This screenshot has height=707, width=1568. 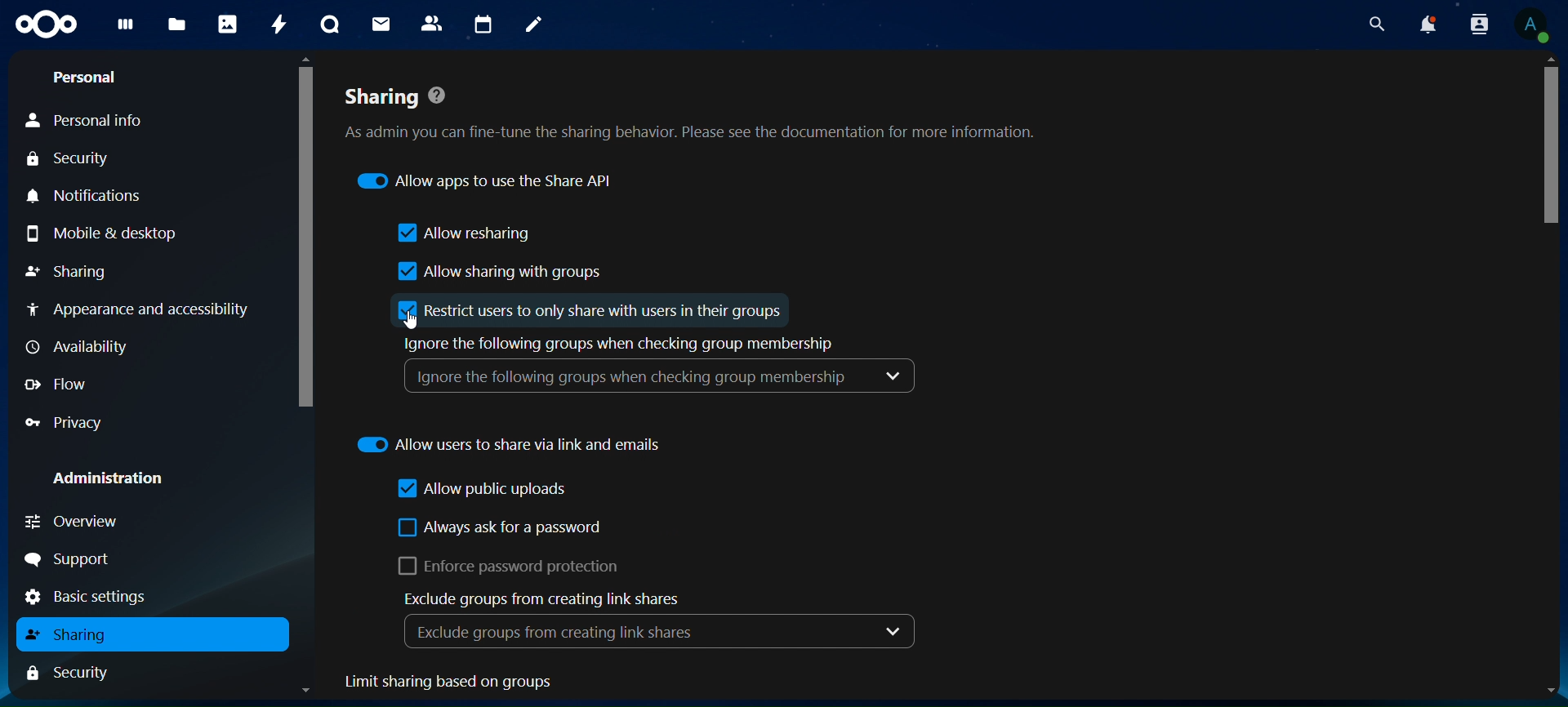 What do you see at coordinates (496, 272) in the screenshot?
I see `allow sharing with groups` at bounding box center [496, 272].